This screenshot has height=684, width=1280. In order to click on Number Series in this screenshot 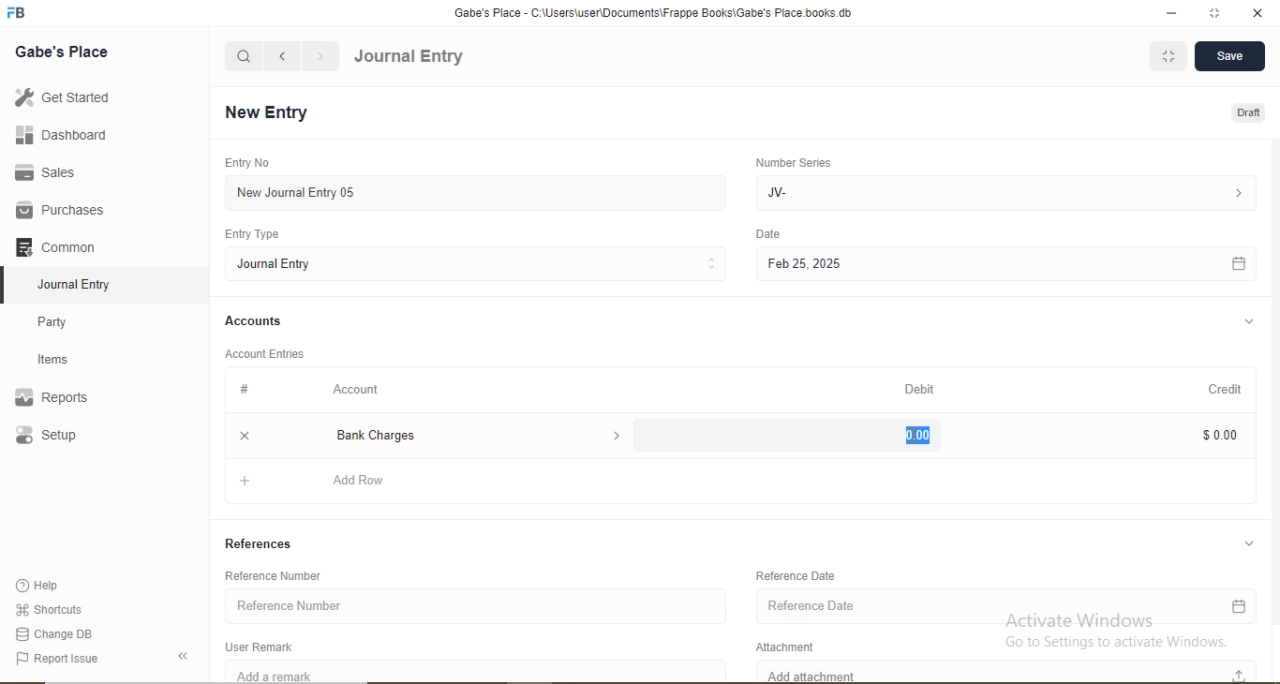, I will do `click(792, 162)`.